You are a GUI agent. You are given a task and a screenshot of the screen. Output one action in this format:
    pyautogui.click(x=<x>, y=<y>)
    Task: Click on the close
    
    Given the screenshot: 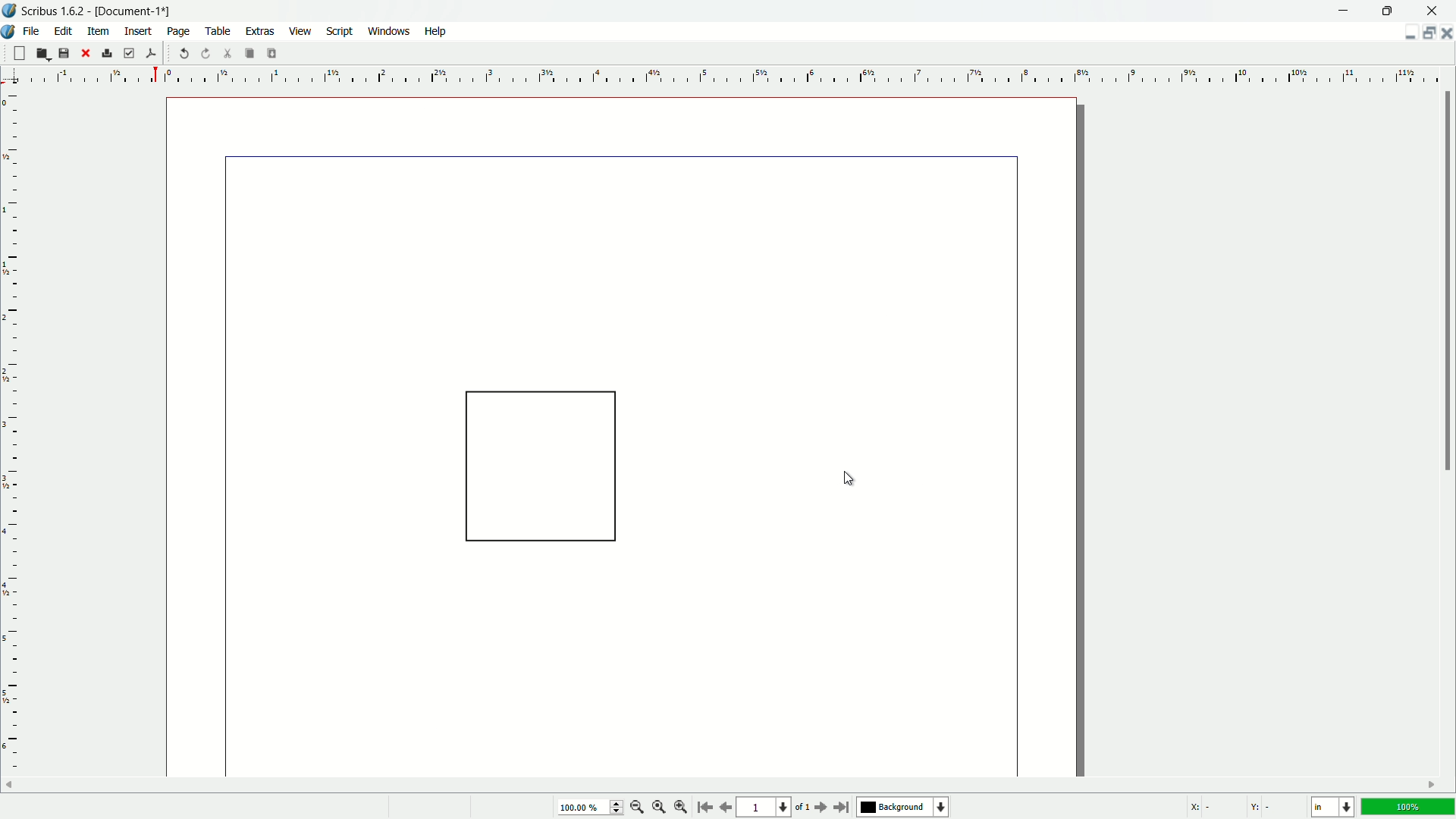 What is the action you would take?
    pyautogui.click(x=86, y=54)
    